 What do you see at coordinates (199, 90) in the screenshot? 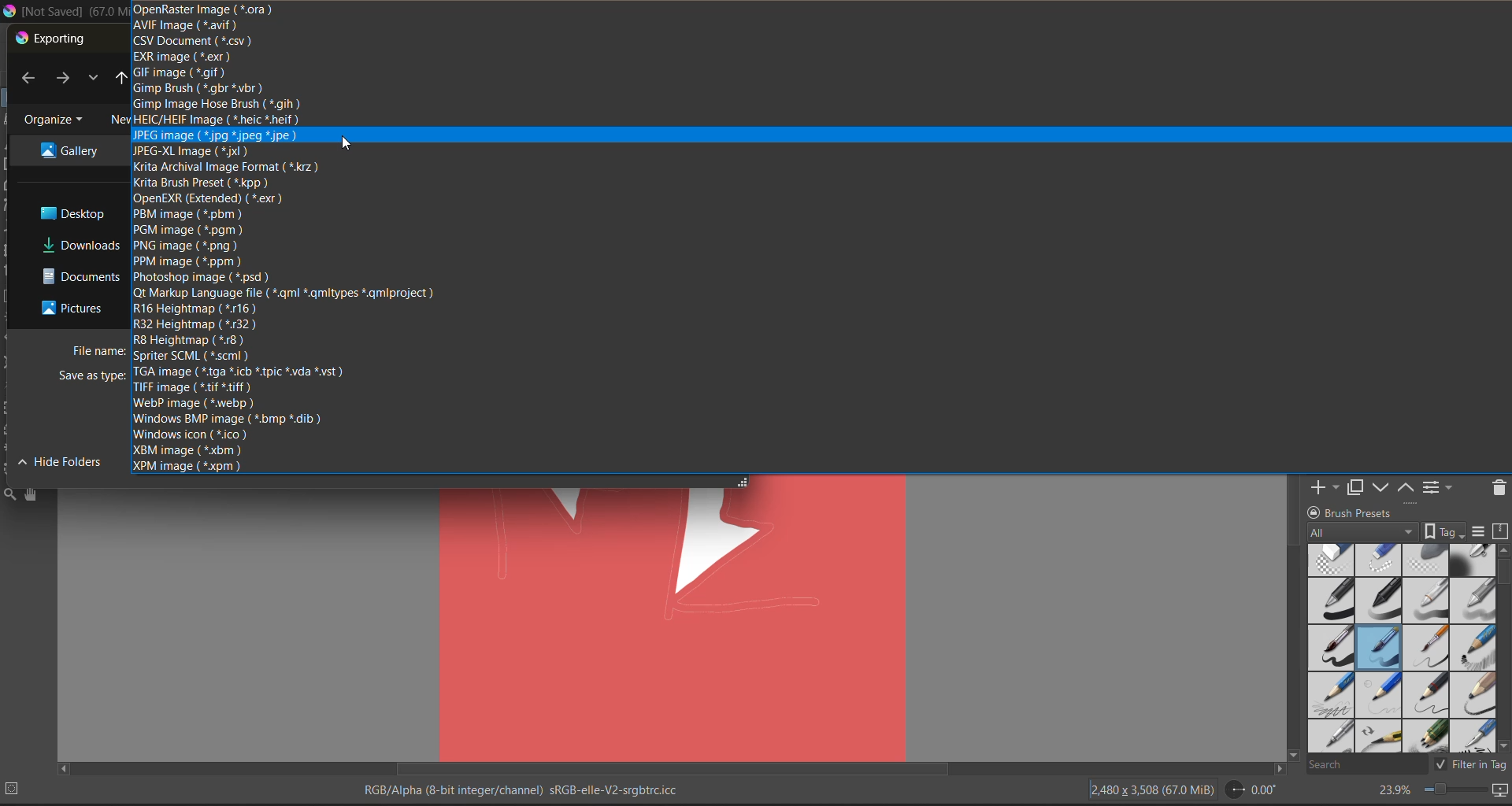
I see `gimp brush` at bounding box center [199, 90].